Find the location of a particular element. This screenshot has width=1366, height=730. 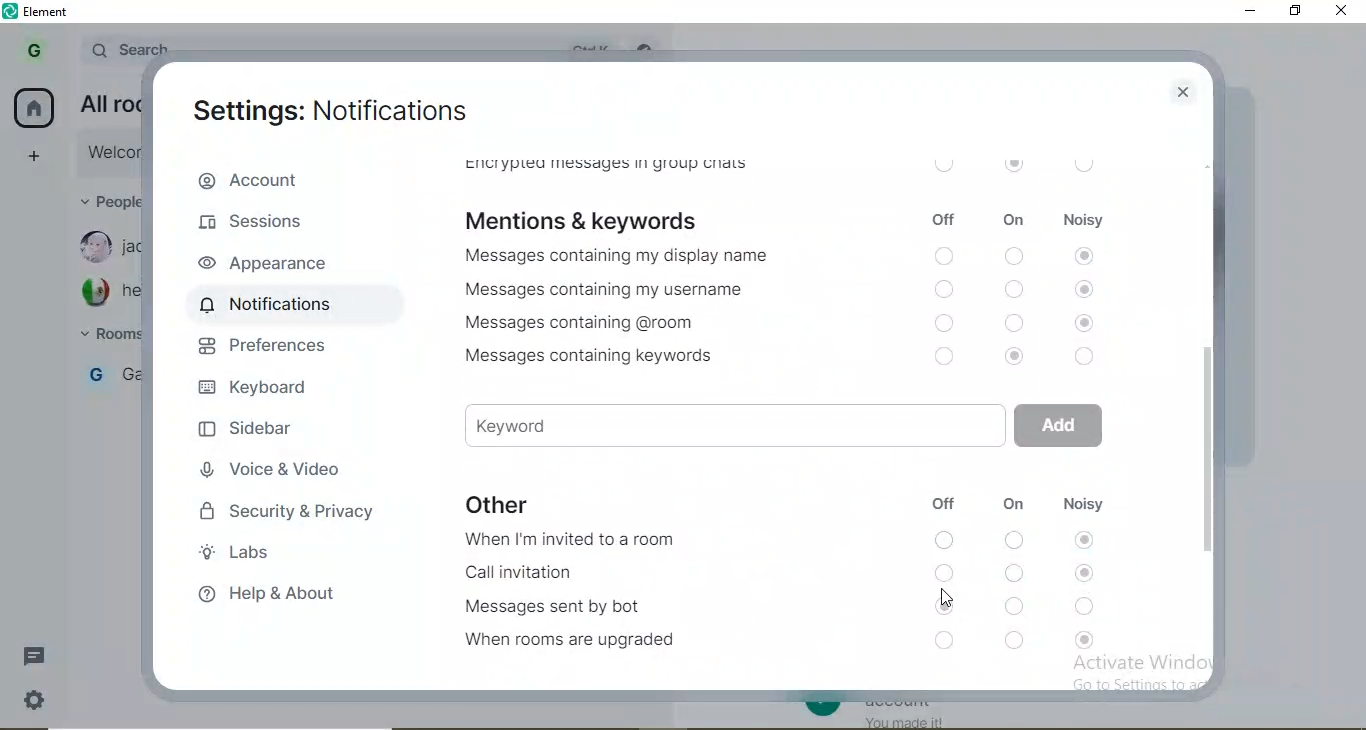

profile image is located at coordinates (94, 246).